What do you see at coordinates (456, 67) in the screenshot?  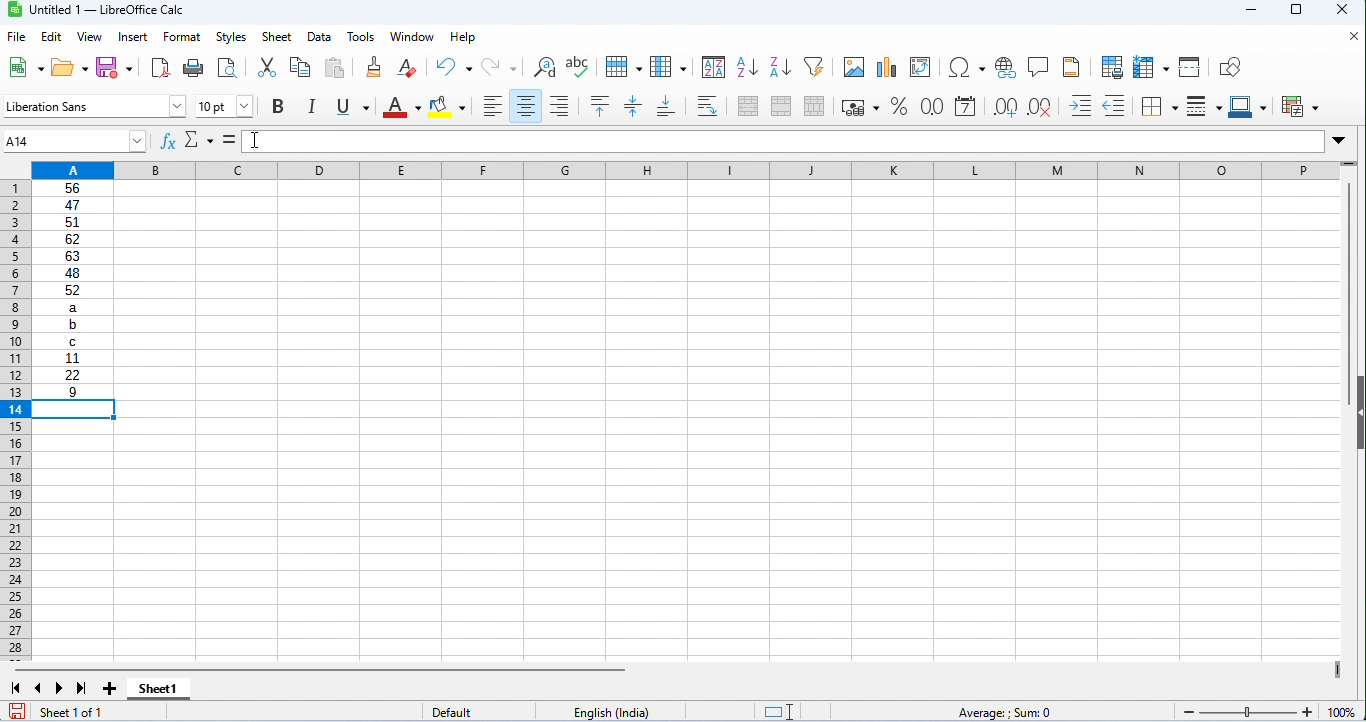 I see `undo` at bounding box center [456, 67].